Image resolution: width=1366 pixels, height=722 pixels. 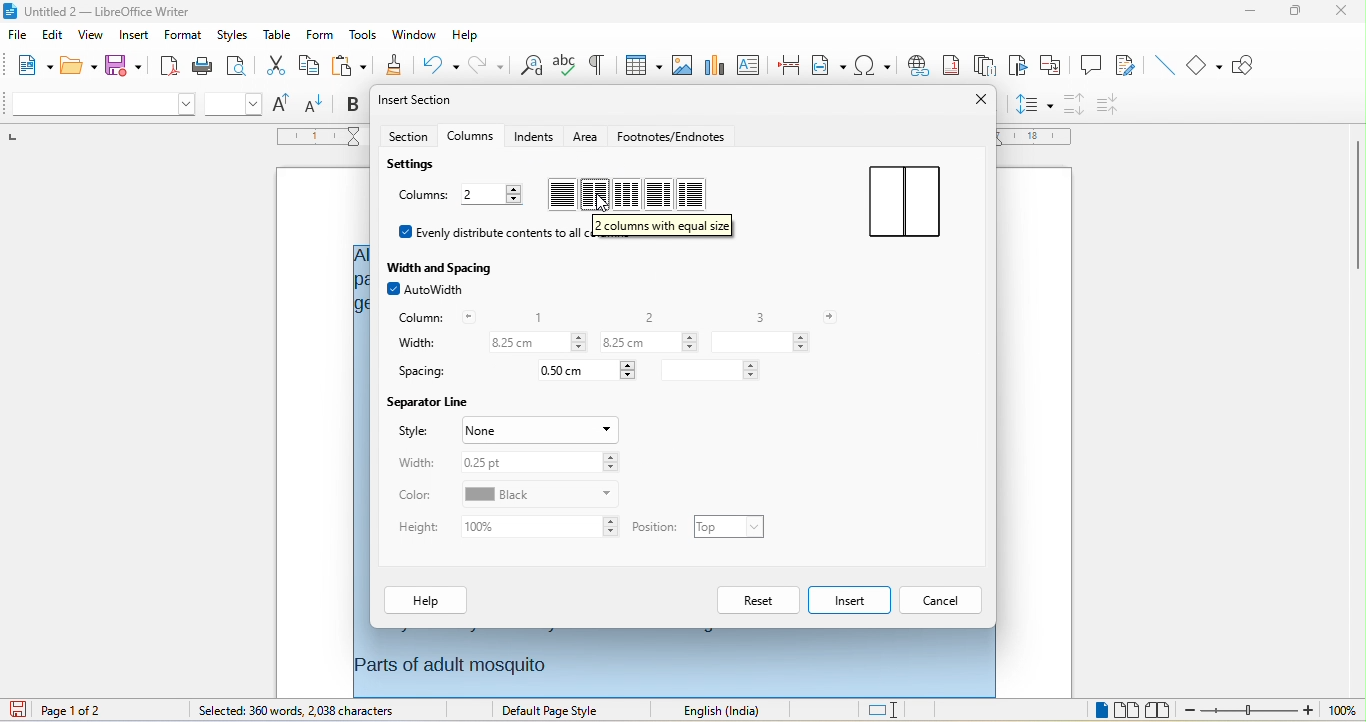 What do you see at coordinates (426, 400) in the screenshot?
I see `separator line` at bounding box center [426, 400].